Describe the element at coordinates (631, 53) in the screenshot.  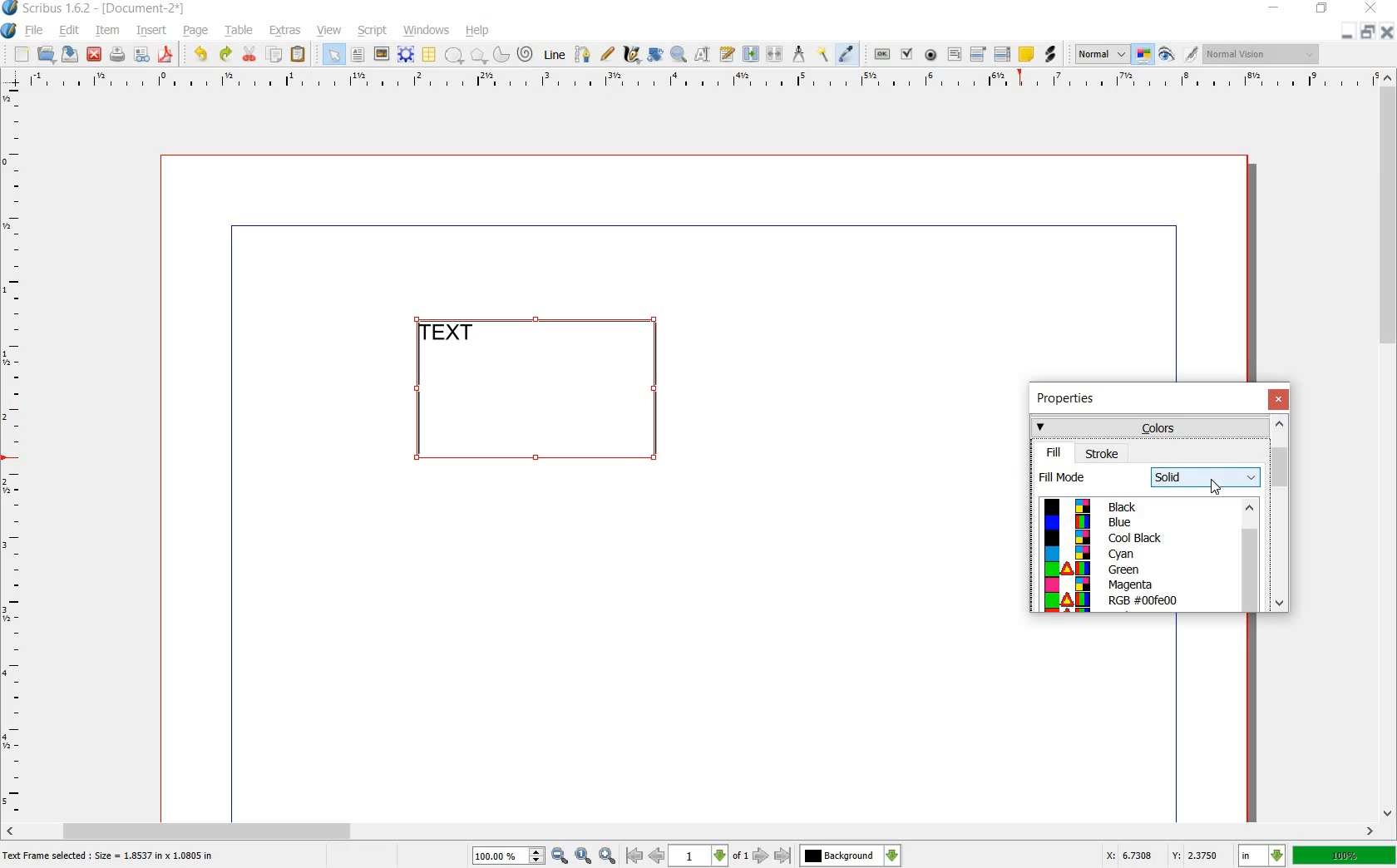
I see `calligraphic line` at that location.